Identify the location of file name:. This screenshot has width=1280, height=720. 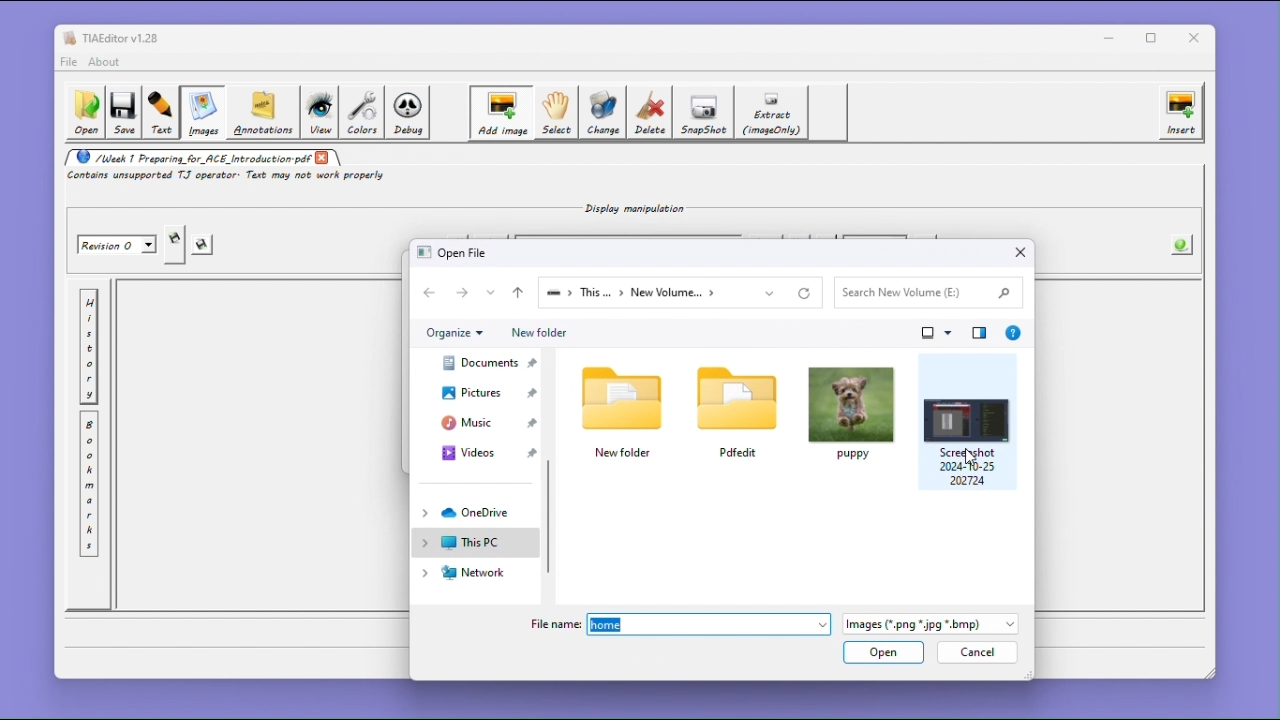
(554, 623).